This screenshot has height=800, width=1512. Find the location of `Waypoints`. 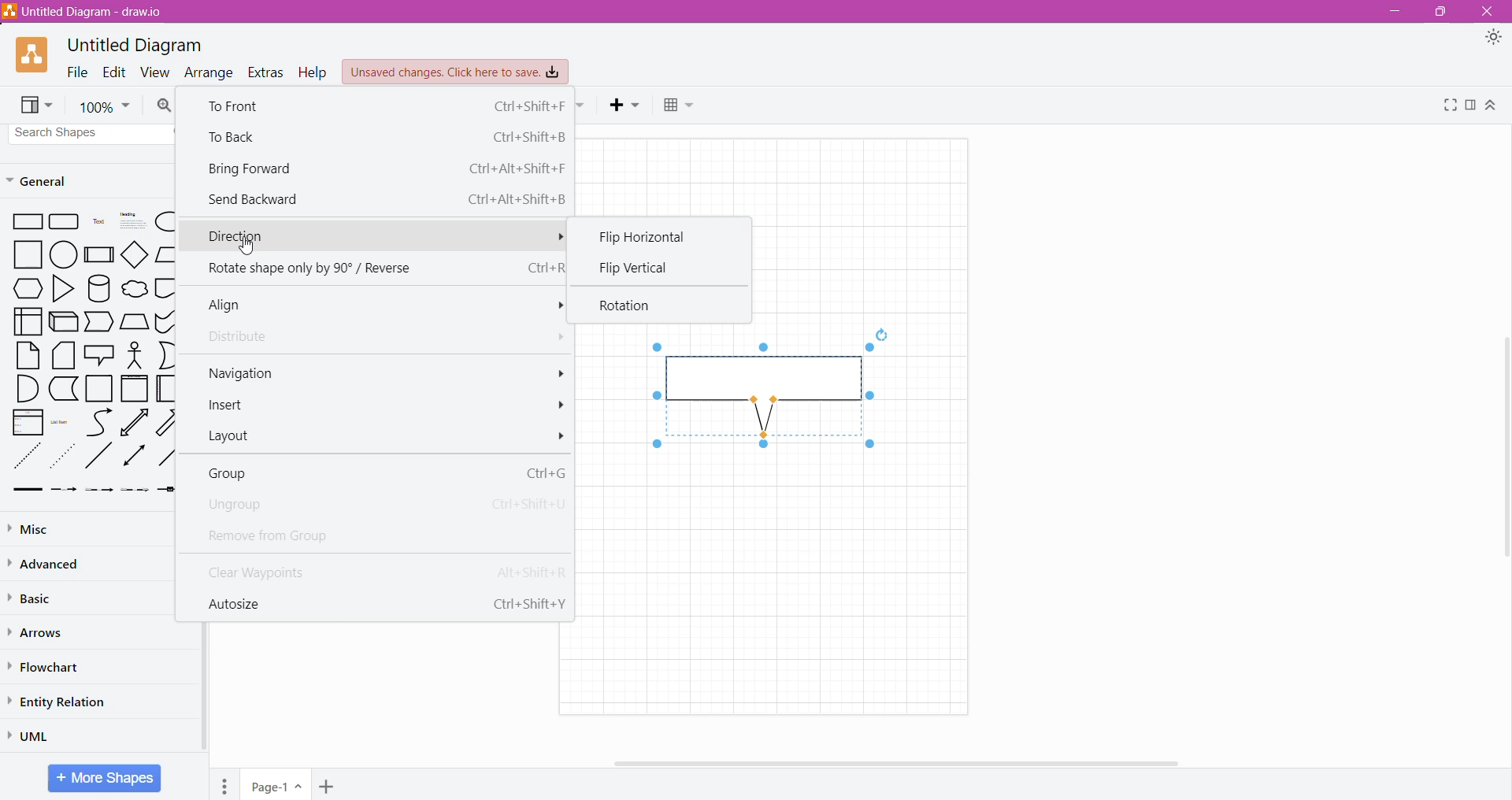

Waypoints is located at coordinates (582, 106).